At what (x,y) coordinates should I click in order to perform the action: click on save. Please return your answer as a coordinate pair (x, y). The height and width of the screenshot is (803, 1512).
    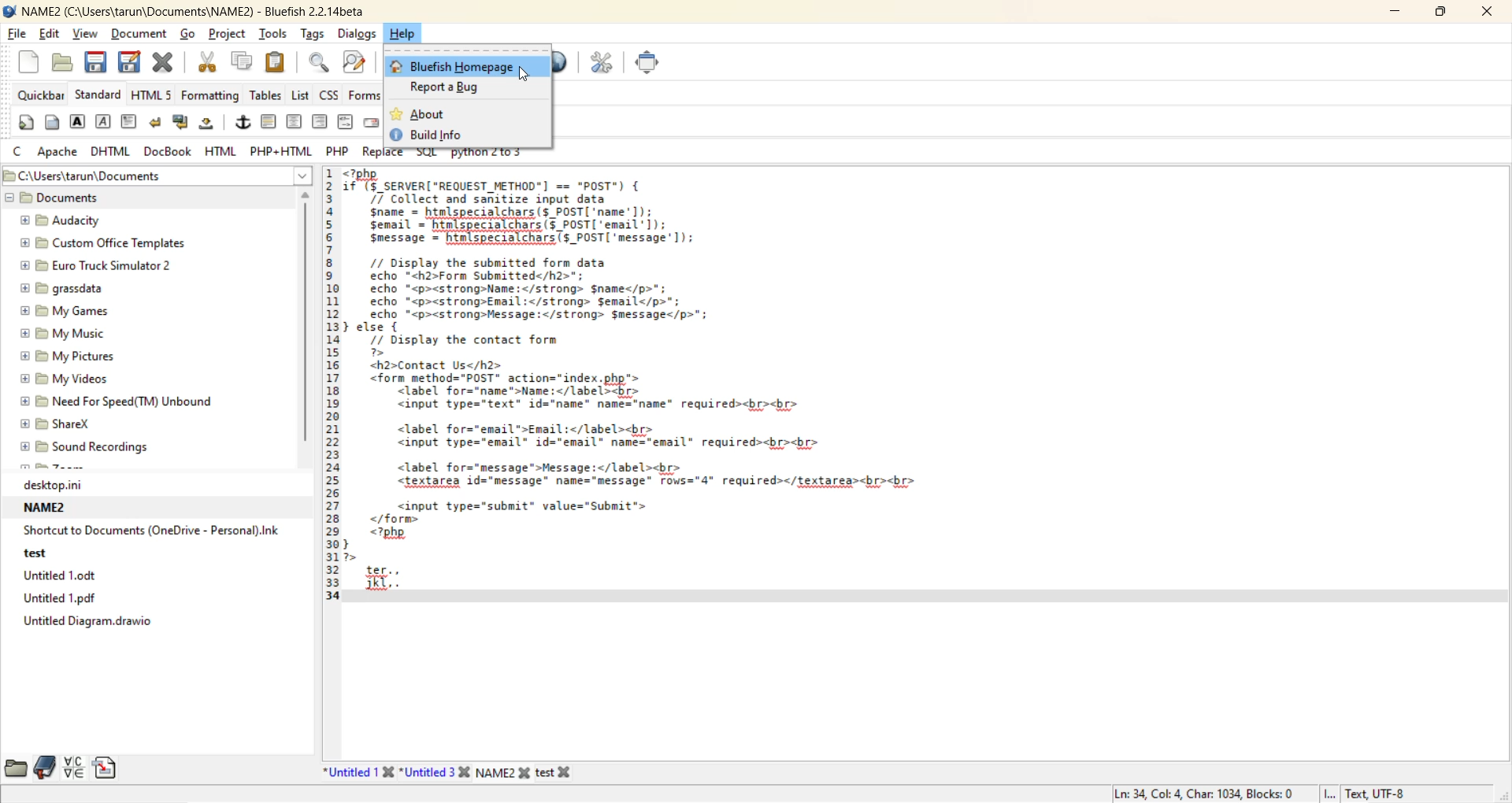
    Looking at the image, I should click on (93, 64).